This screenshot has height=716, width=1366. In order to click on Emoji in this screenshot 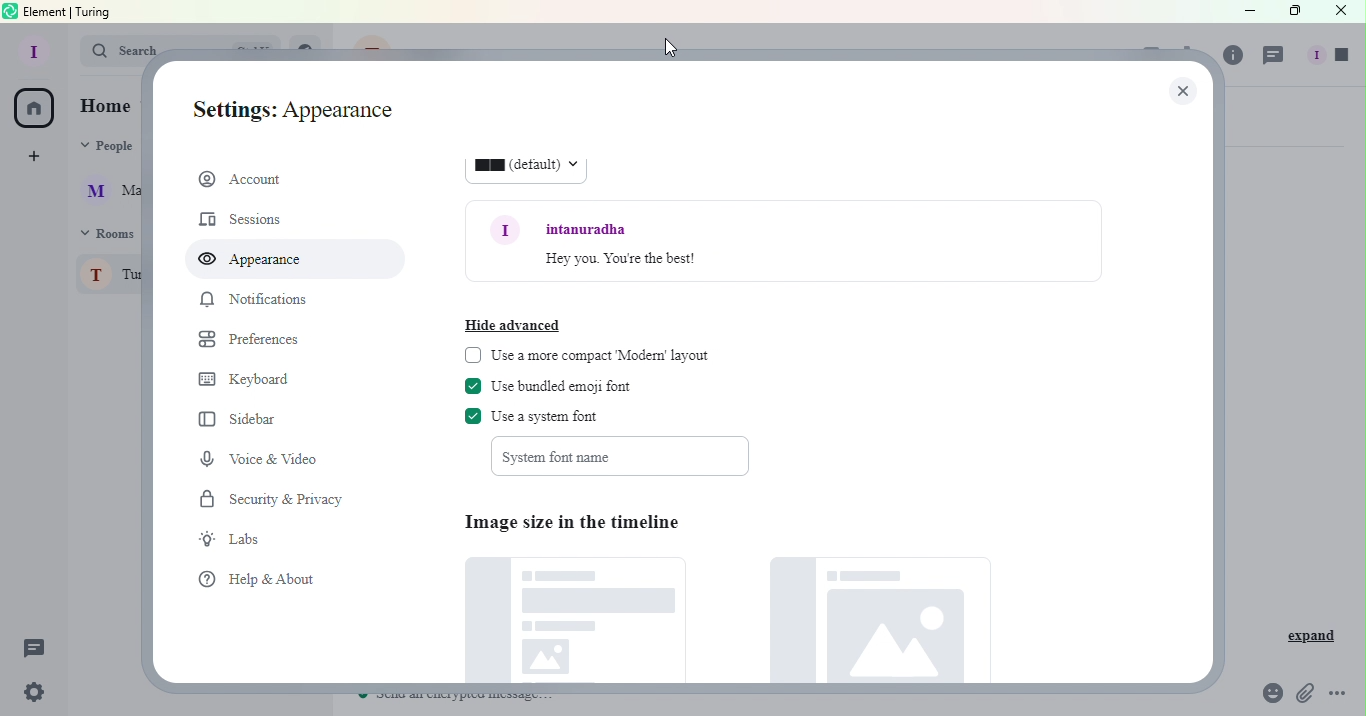, I will do `click(1267, 693)`.